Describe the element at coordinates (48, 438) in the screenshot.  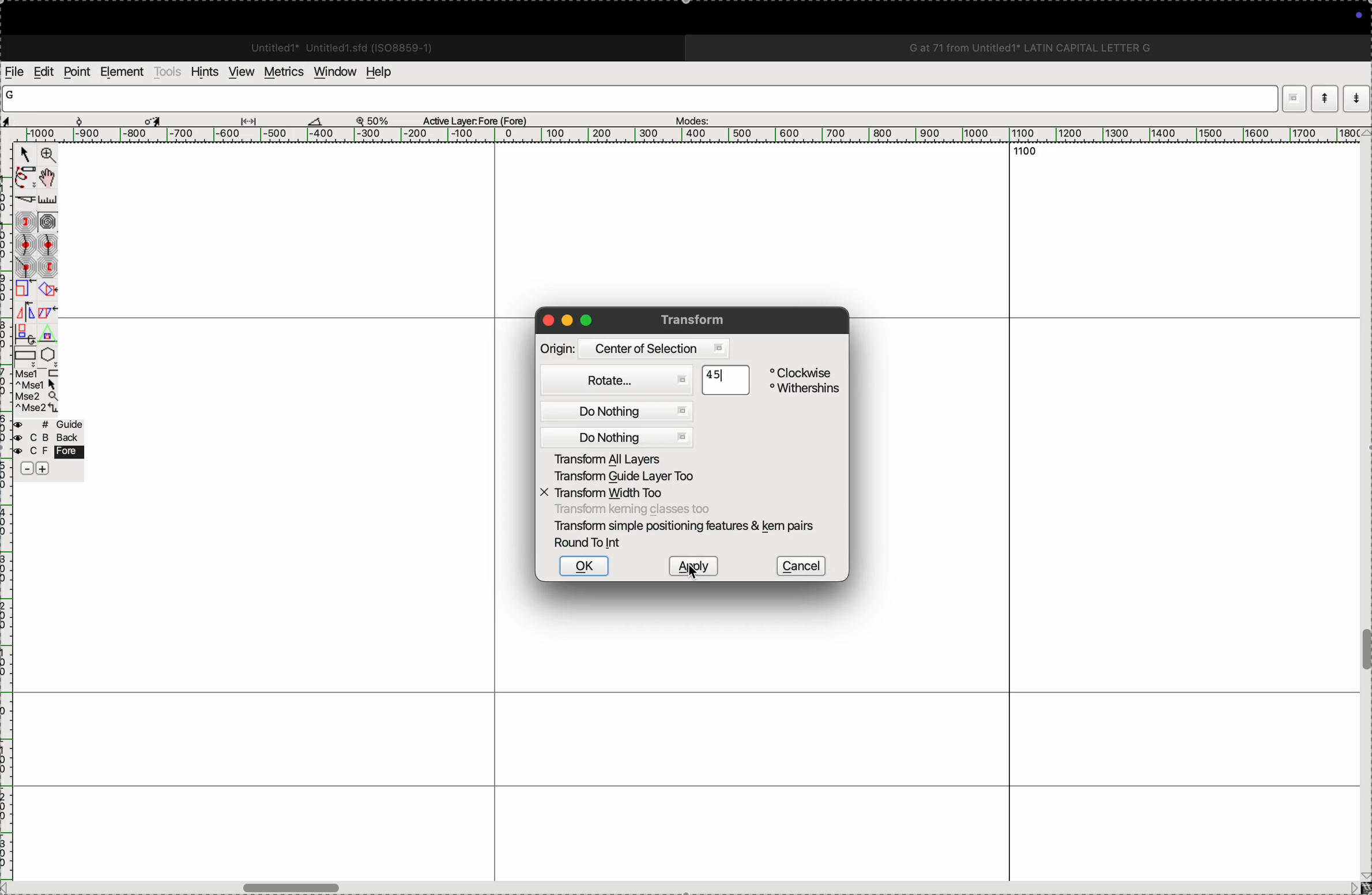
I see `back layer` at that location.